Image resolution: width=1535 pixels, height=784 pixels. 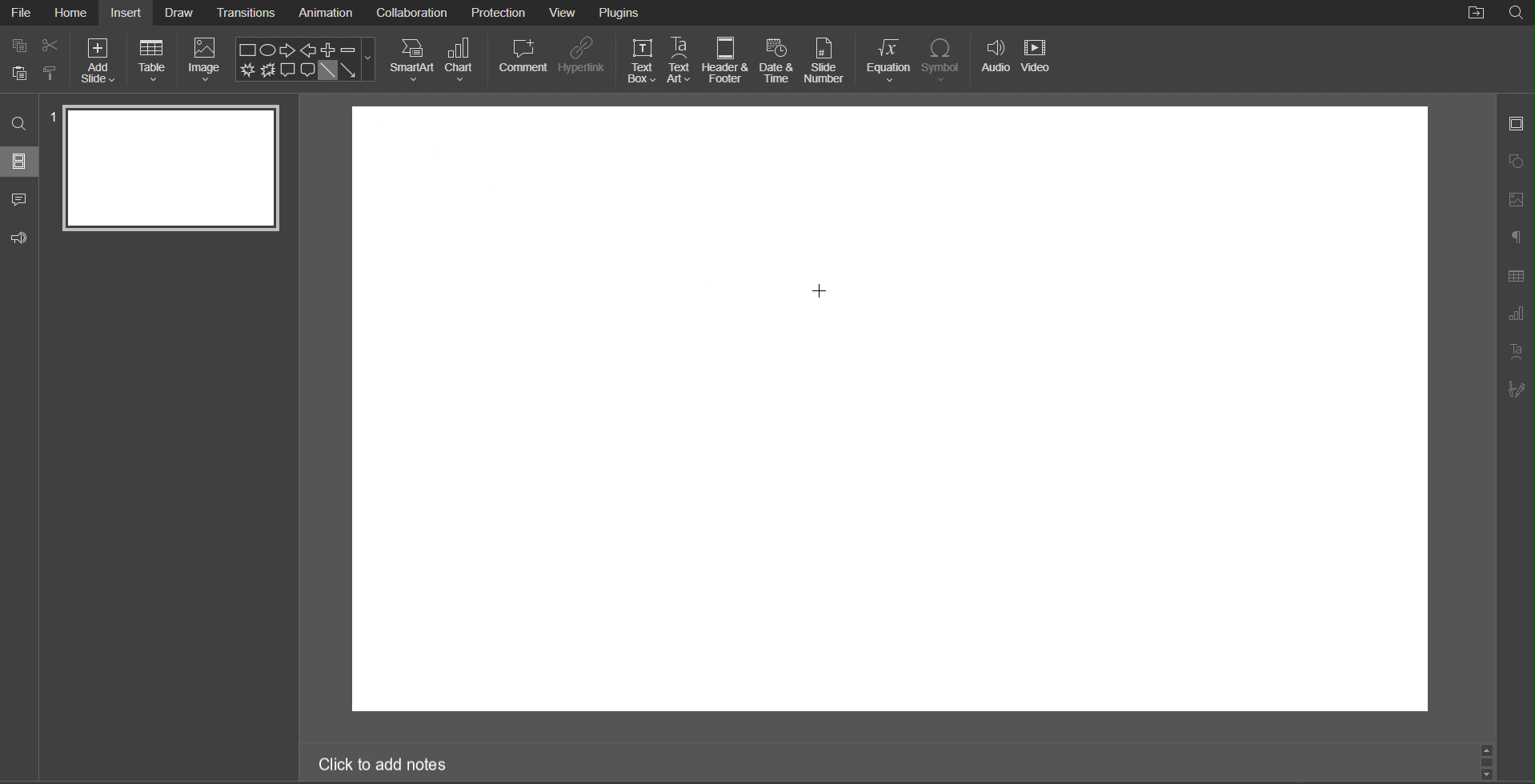 I want to click on Transitions, so click(x=247, y=13).